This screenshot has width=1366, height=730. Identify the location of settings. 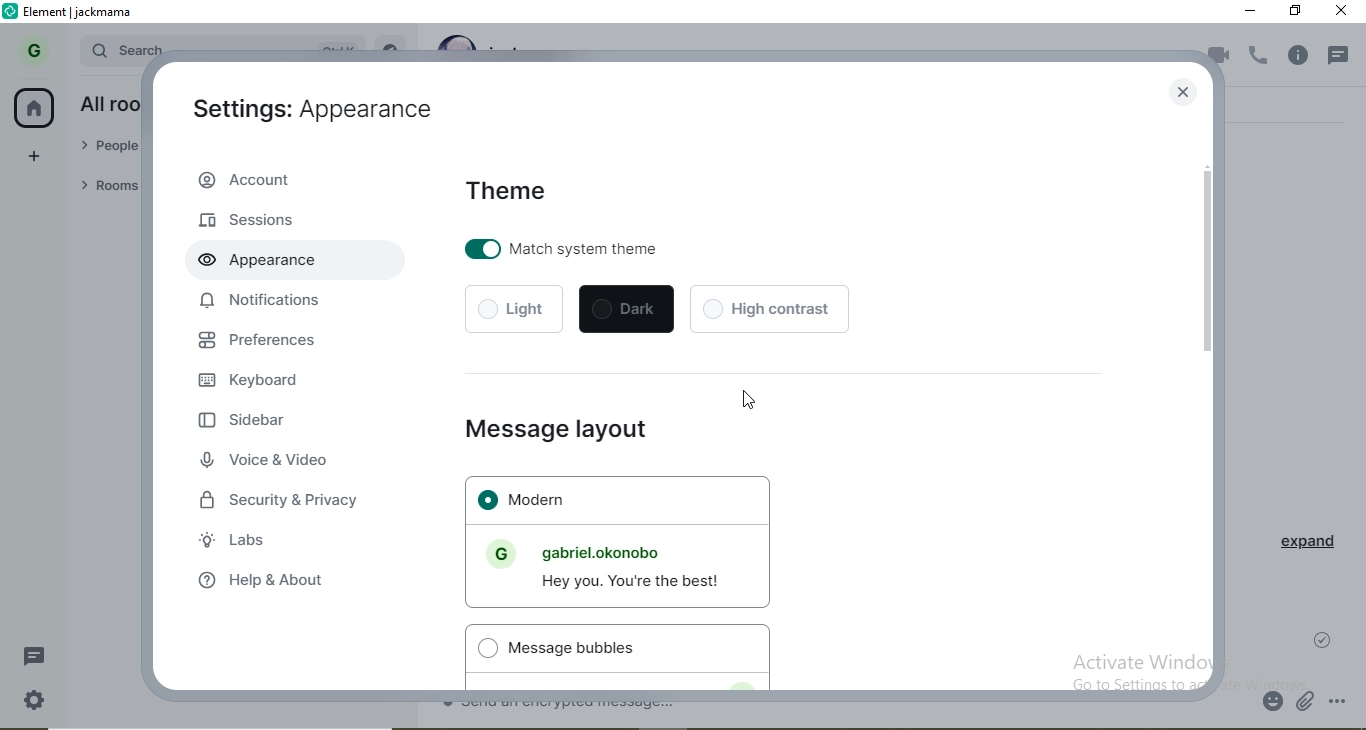
(34, 700).